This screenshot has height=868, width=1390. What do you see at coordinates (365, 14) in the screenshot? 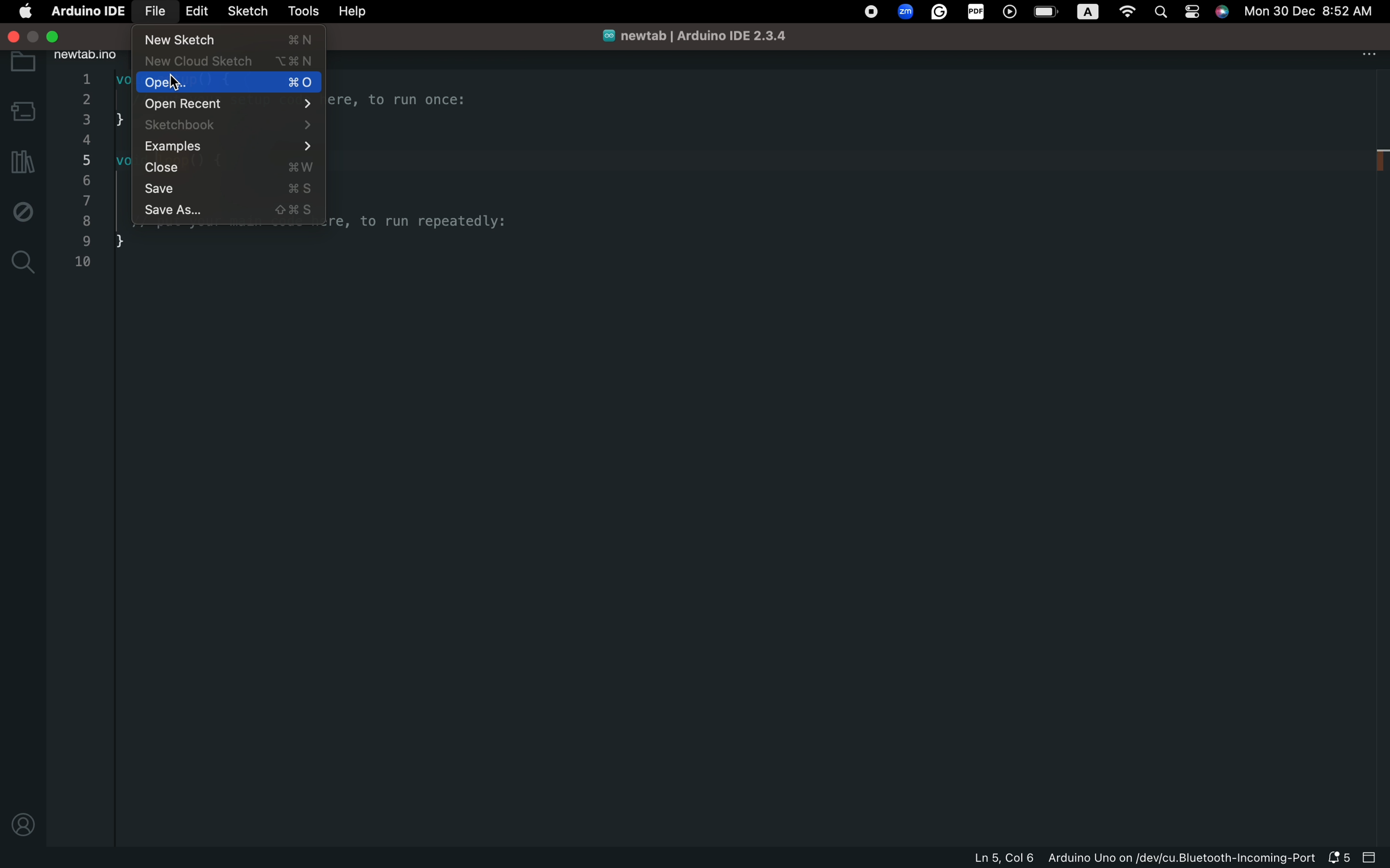
I see `help` at bounding box center [365, 14].